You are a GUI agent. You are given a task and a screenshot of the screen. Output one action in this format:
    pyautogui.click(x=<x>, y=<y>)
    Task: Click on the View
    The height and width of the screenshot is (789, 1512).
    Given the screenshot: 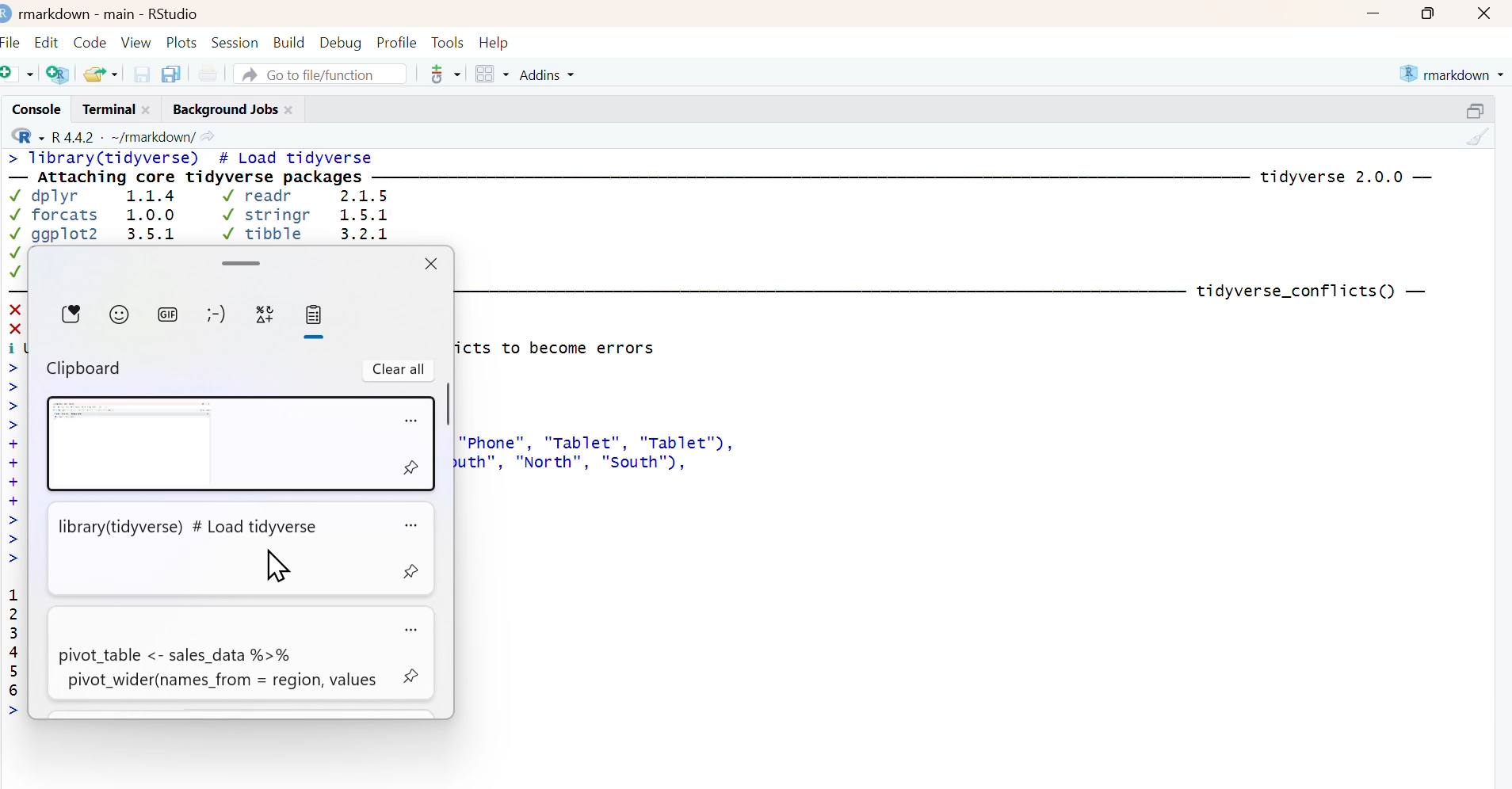 What is the action you would take?
    pyautogui.click(x=138, y=40)
    